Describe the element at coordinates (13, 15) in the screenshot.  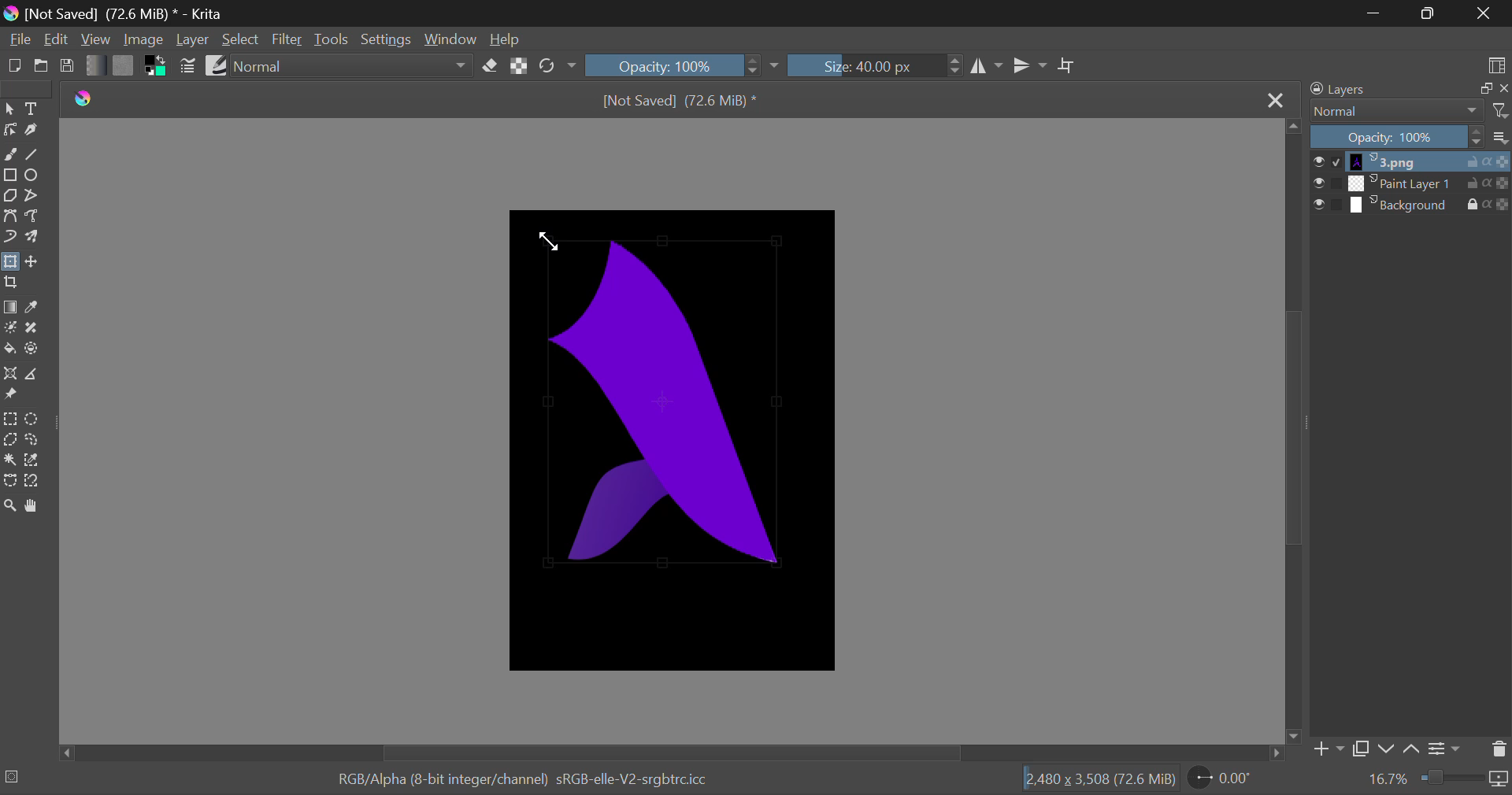
I see `logo` at that location.